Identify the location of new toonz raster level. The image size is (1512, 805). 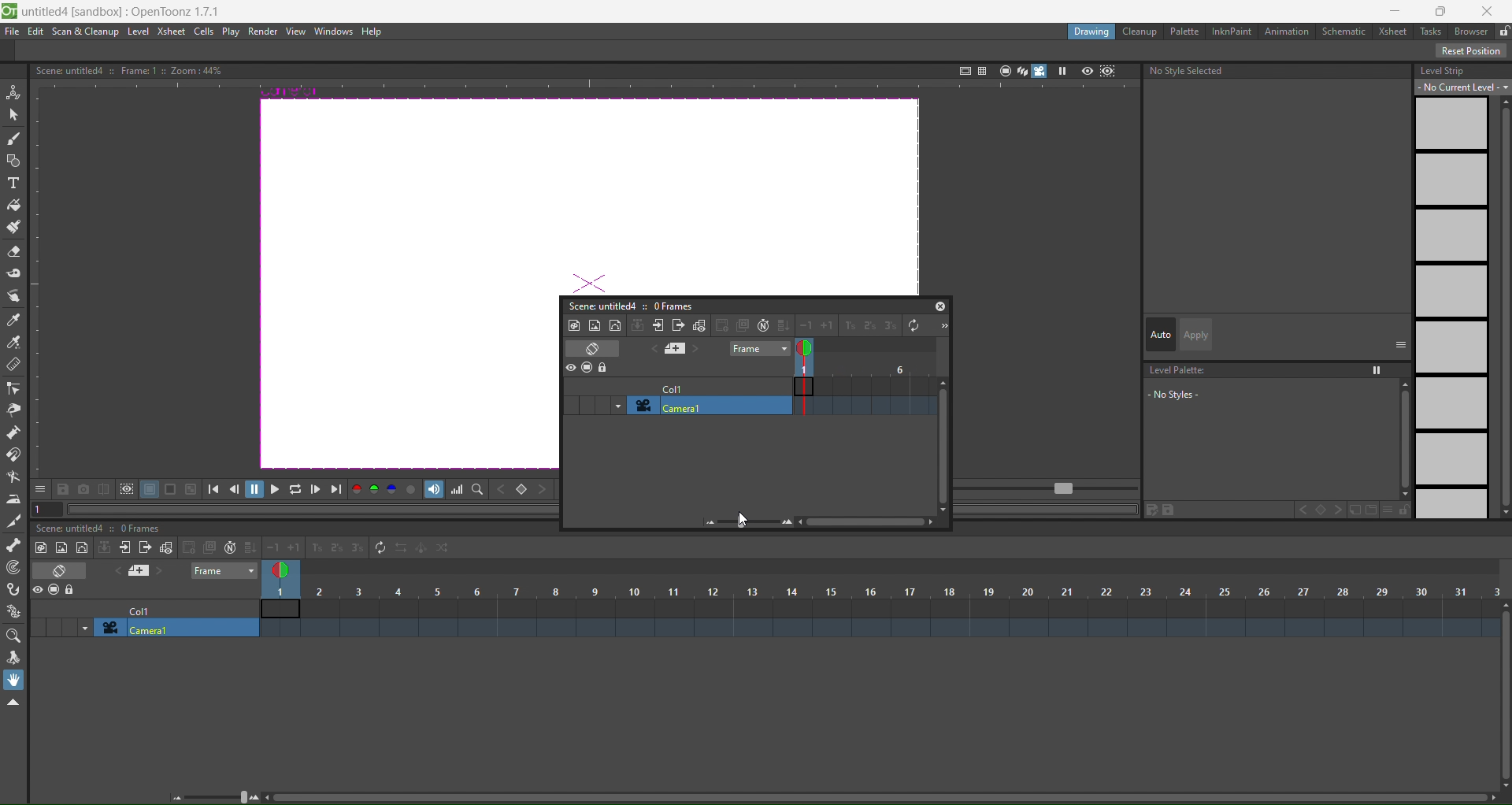
(43, 547).